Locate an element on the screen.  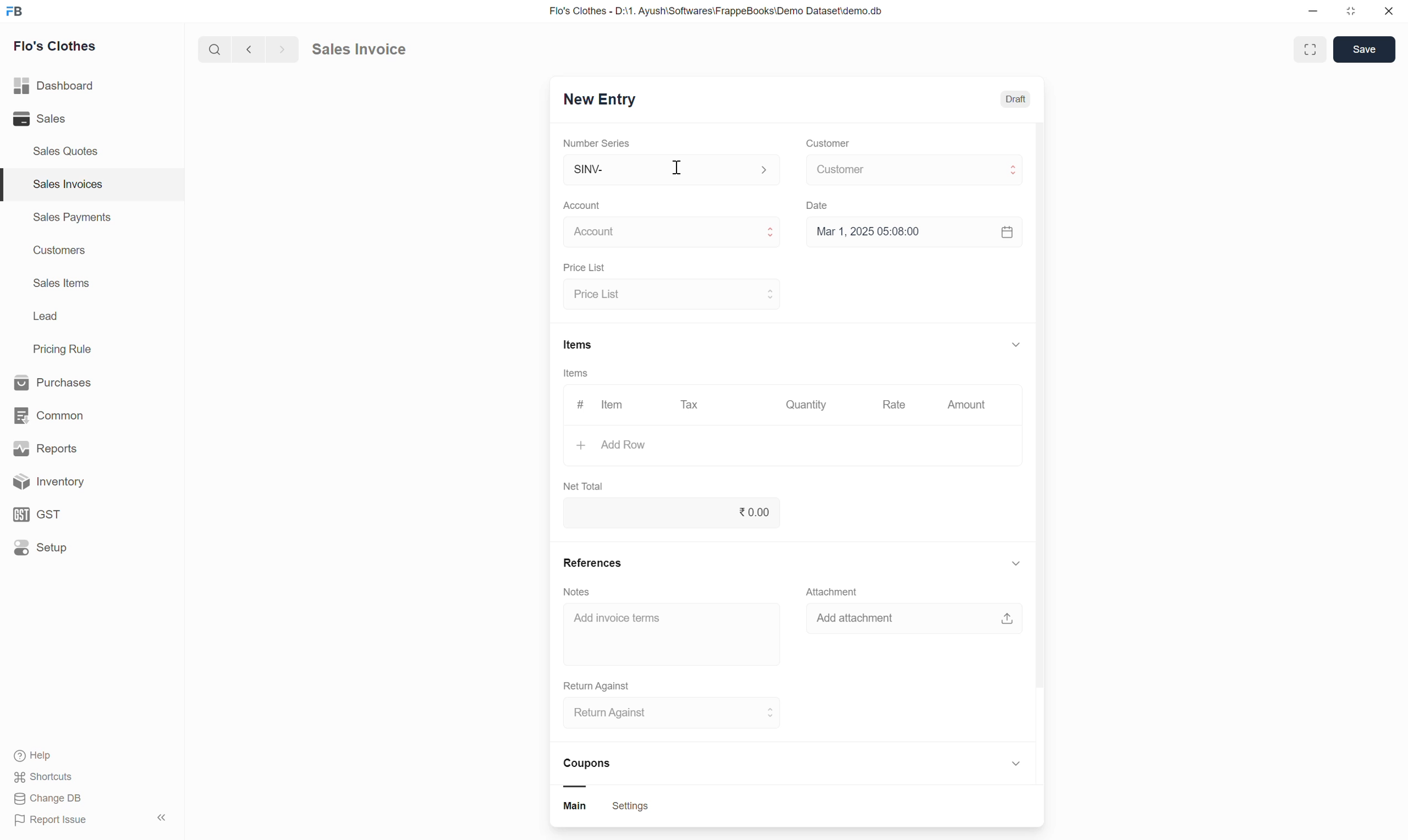
Reports  is located at coordinates (76, 447).